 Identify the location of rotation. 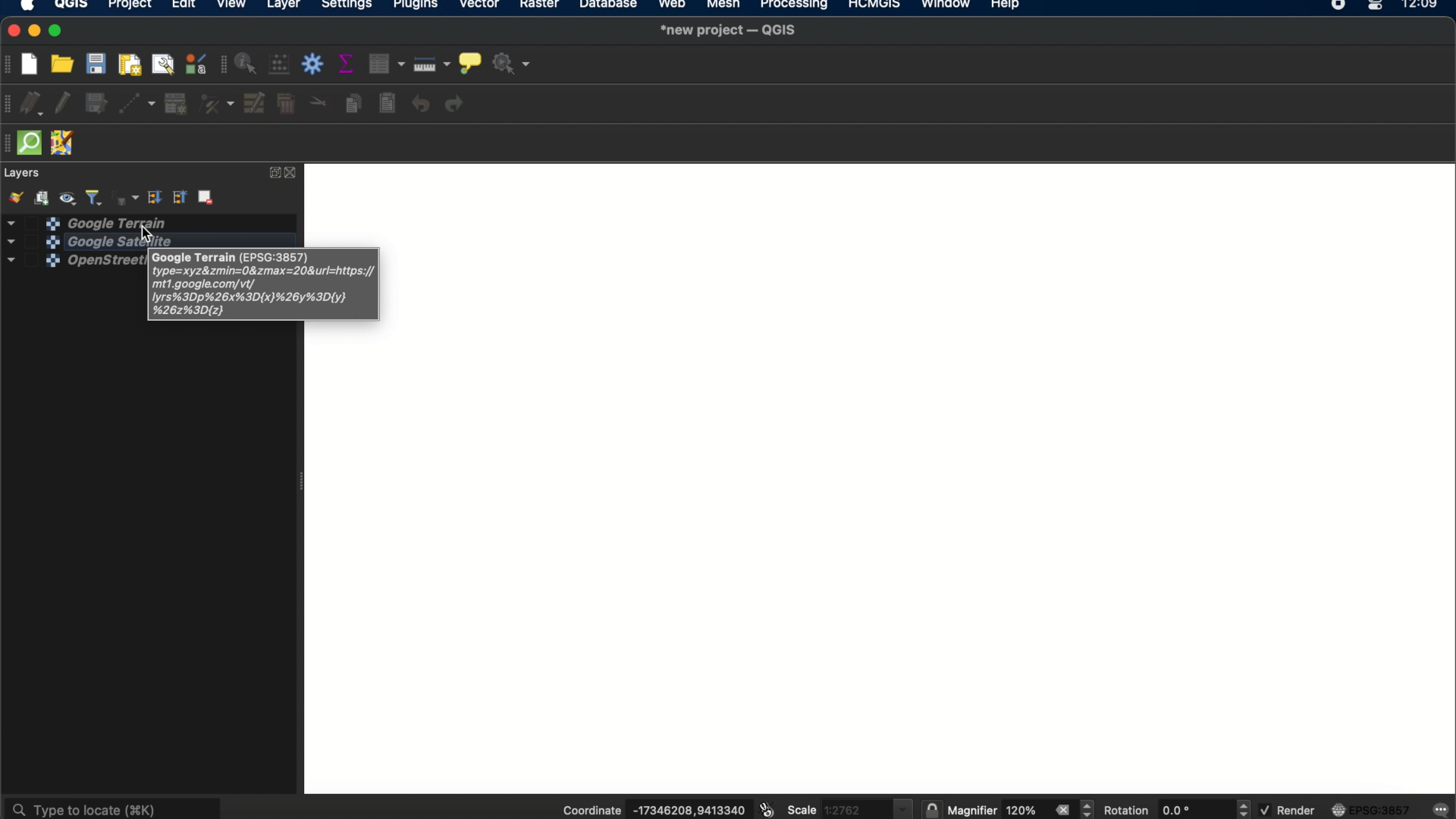
(1244, 809).